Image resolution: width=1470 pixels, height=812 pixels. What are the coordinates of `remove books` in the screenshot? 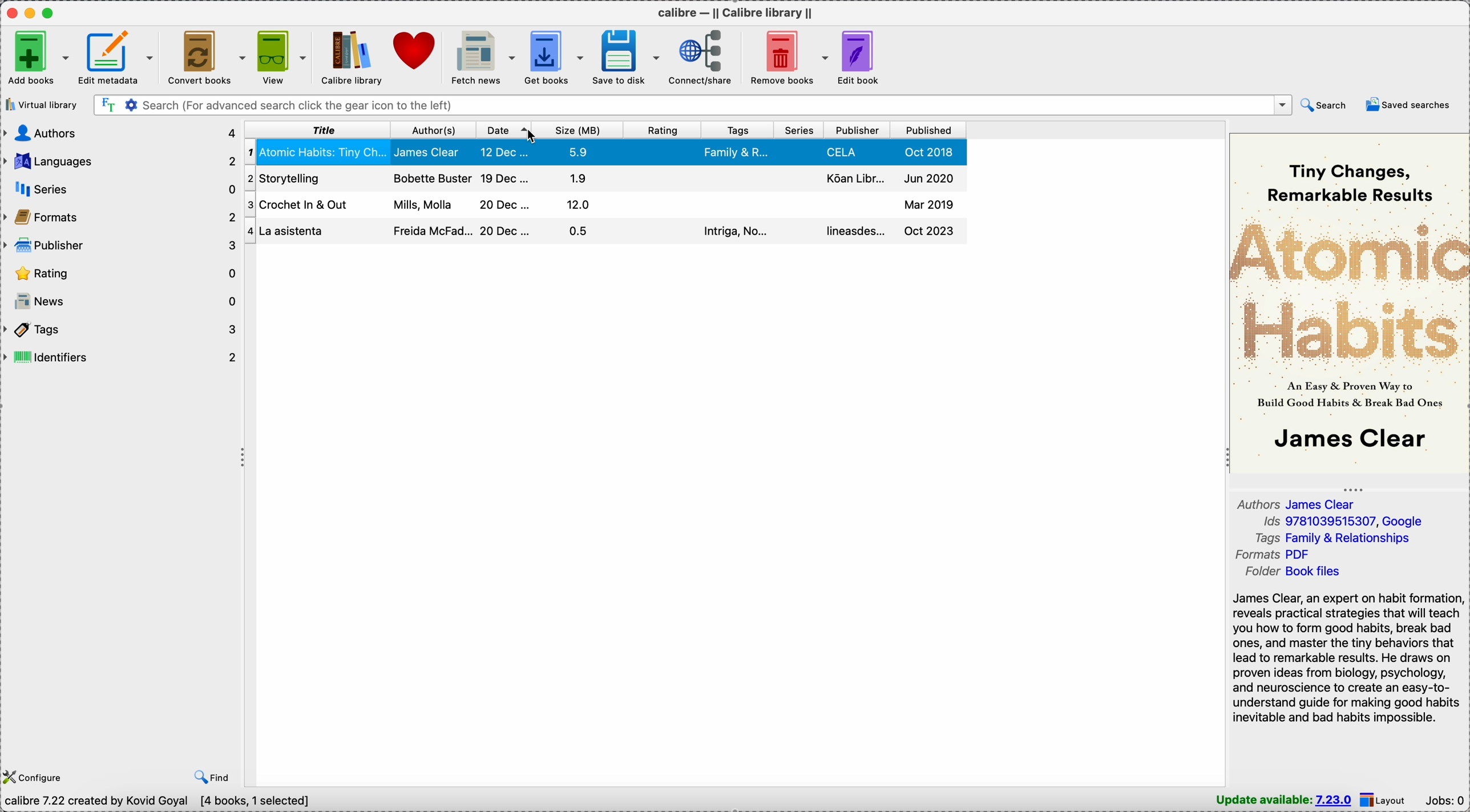 It's located at (787, 56).